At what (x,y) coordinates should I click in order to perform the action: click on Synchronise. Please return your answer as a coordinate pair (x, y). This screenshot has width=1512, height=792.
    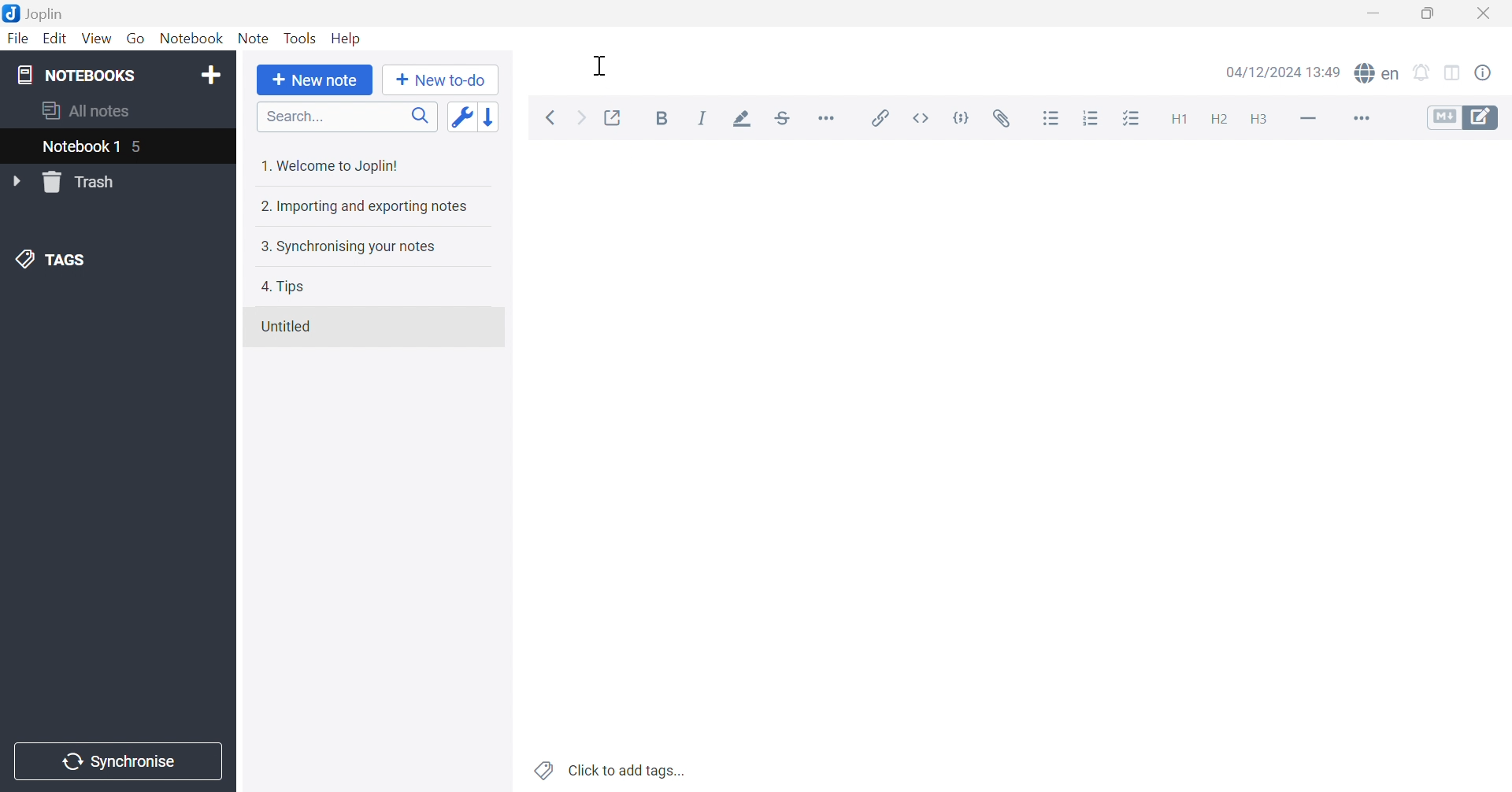
    Looking at the image, I should click on (120, 762).